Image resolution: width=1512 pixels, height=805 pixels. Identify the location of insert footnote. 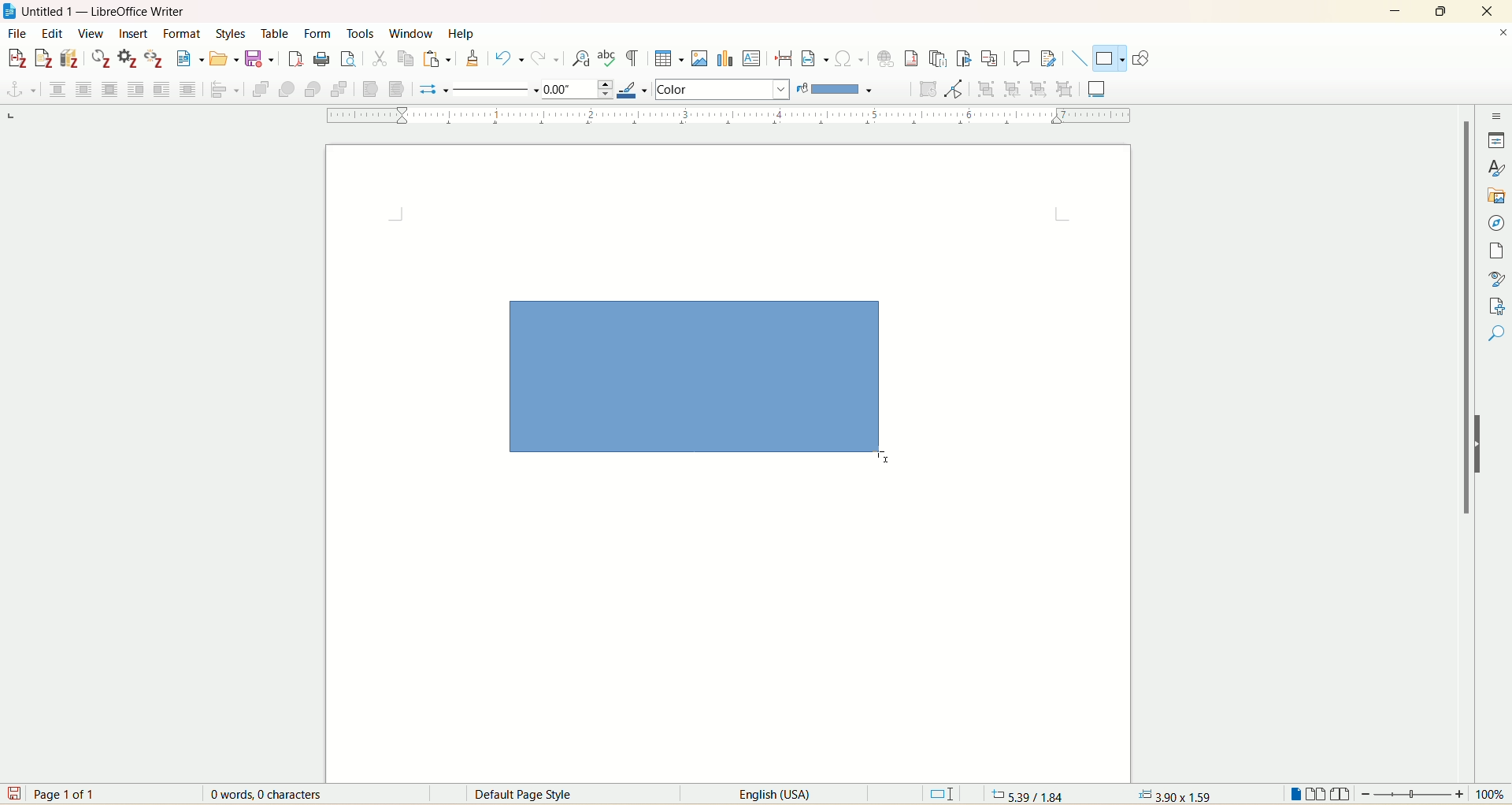
(916, 58).